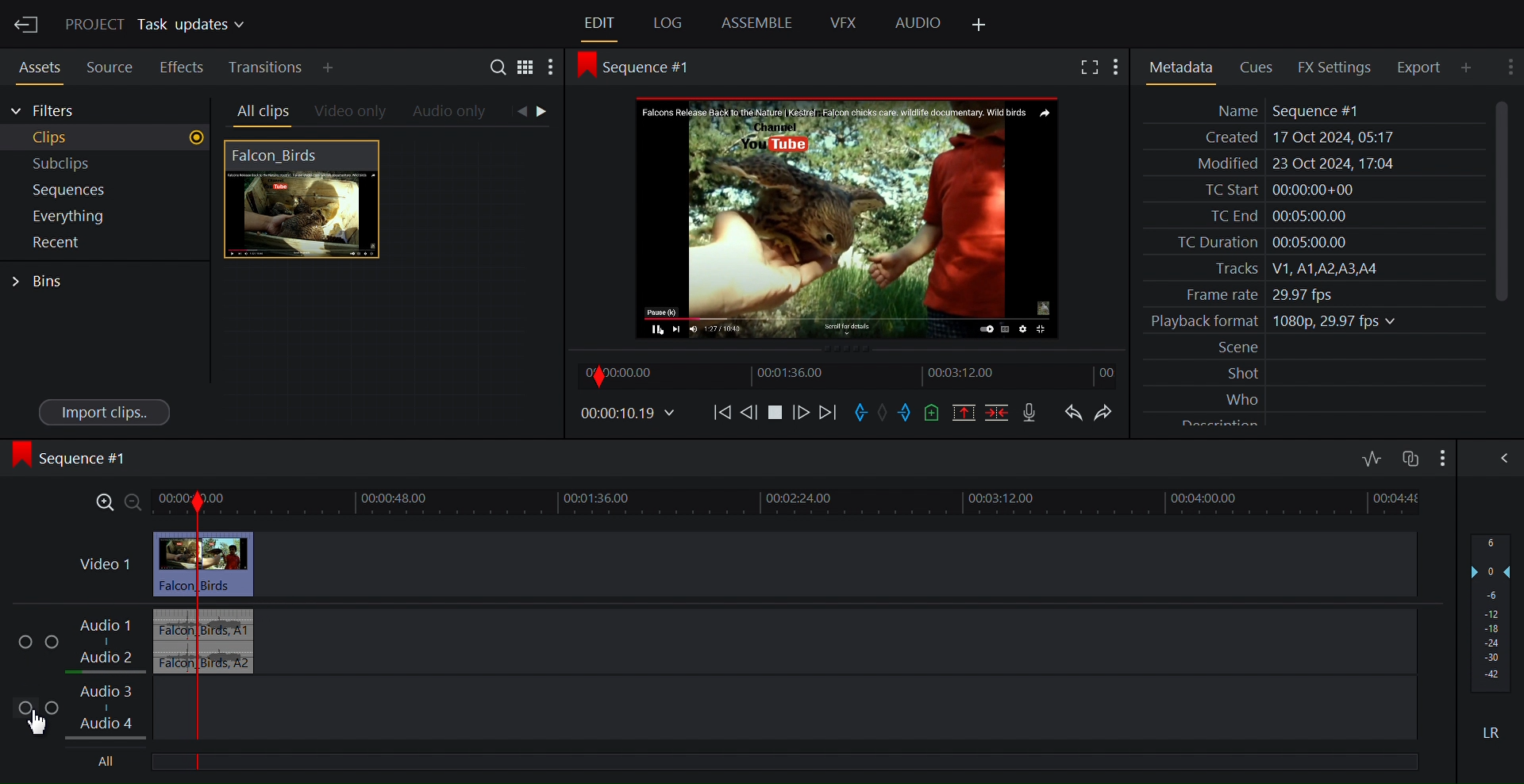  I want to click on Play, so click(778, 415).